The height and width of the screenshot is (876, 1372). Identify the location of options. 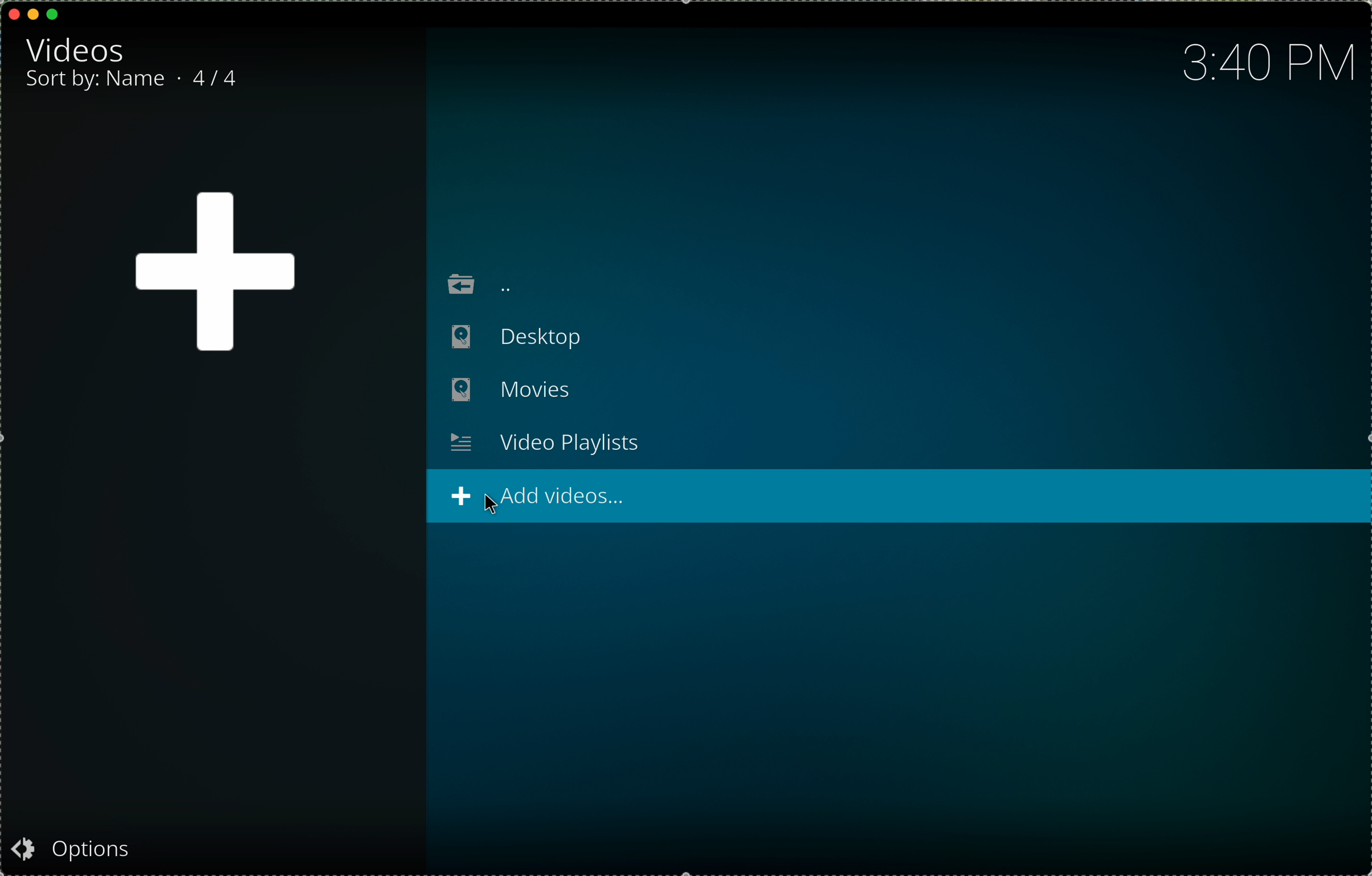
(81, 848).